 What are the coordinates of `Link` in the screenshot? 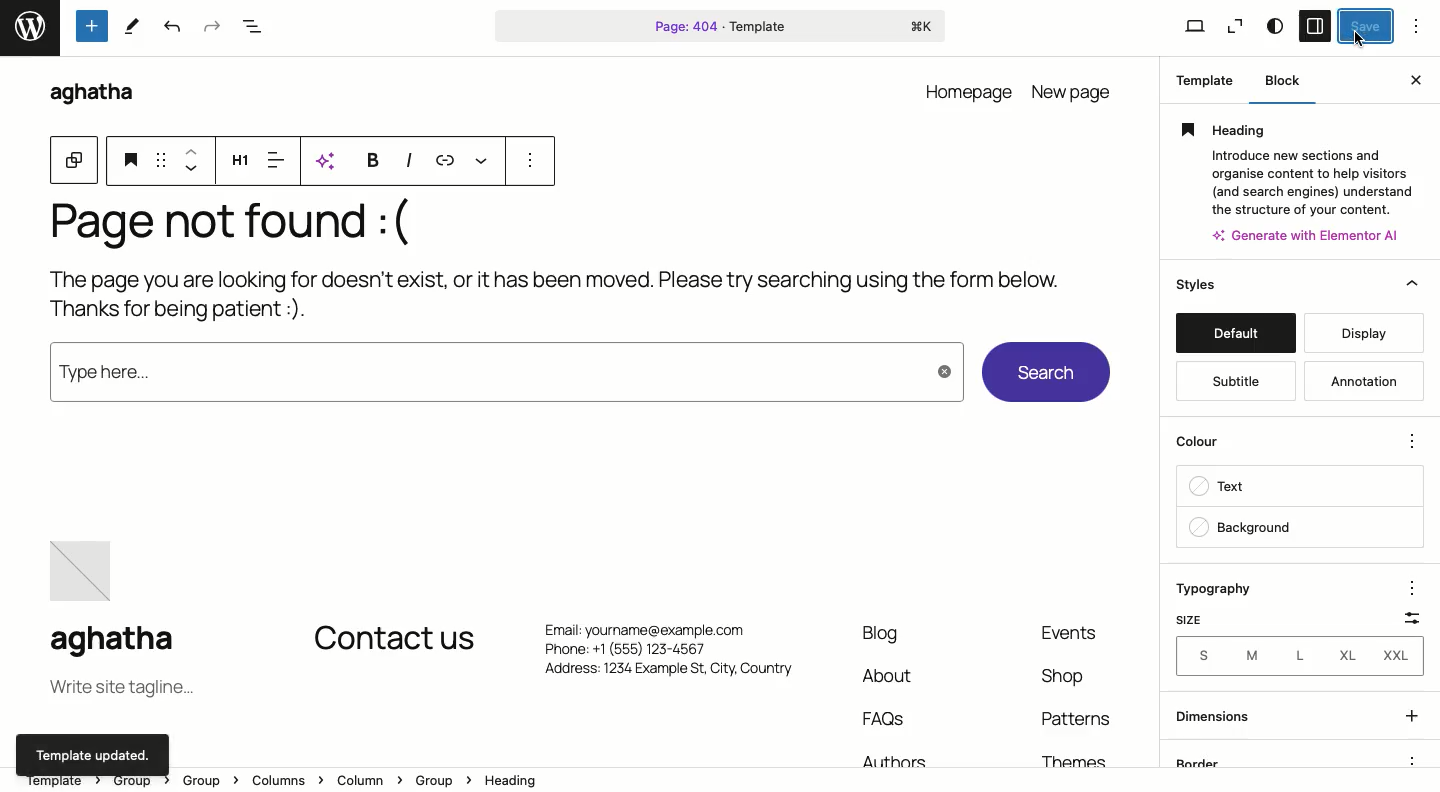 It's located at (447, 160).